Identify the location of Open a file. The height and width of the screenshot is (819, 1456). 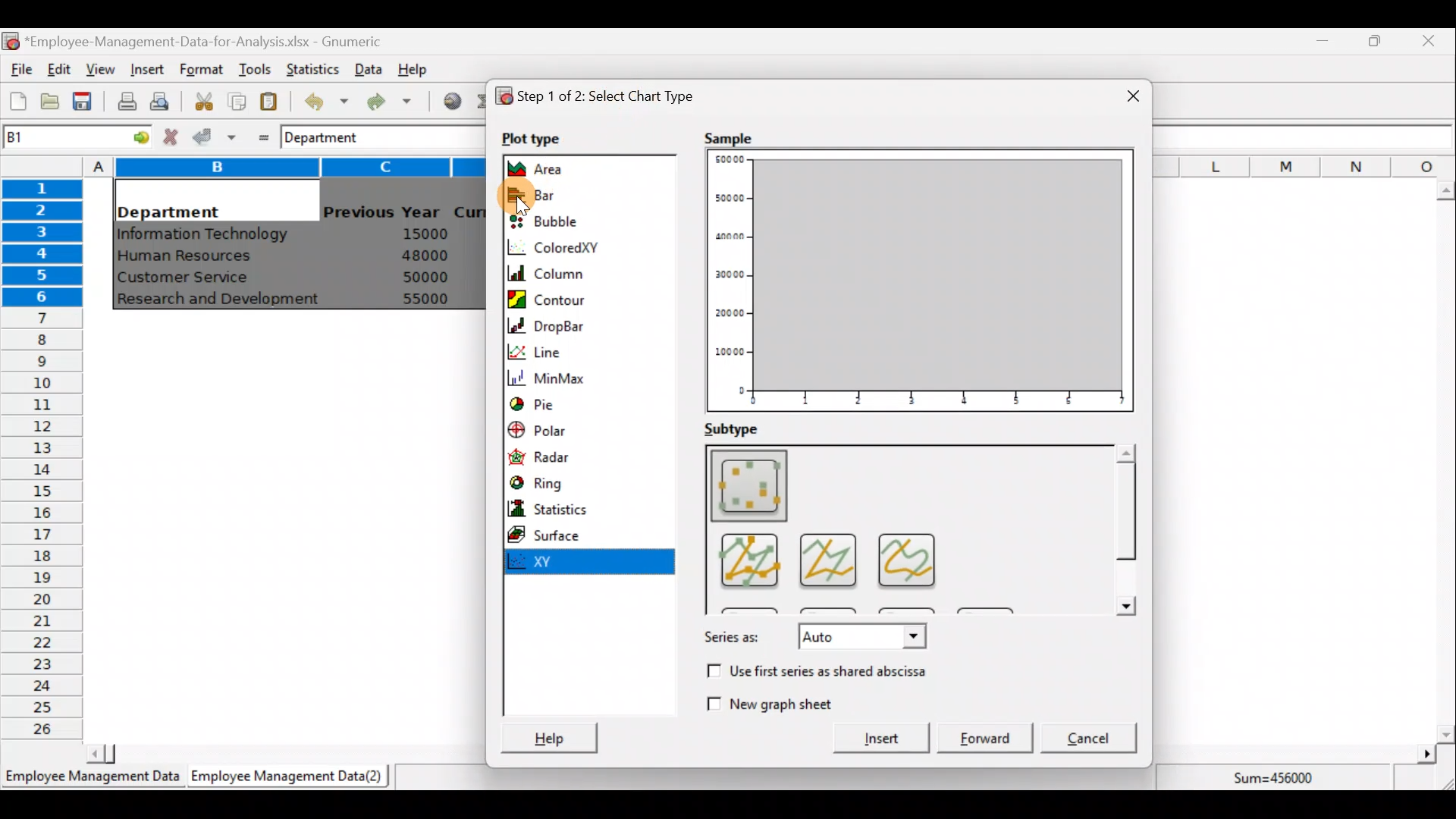
(54, 103).